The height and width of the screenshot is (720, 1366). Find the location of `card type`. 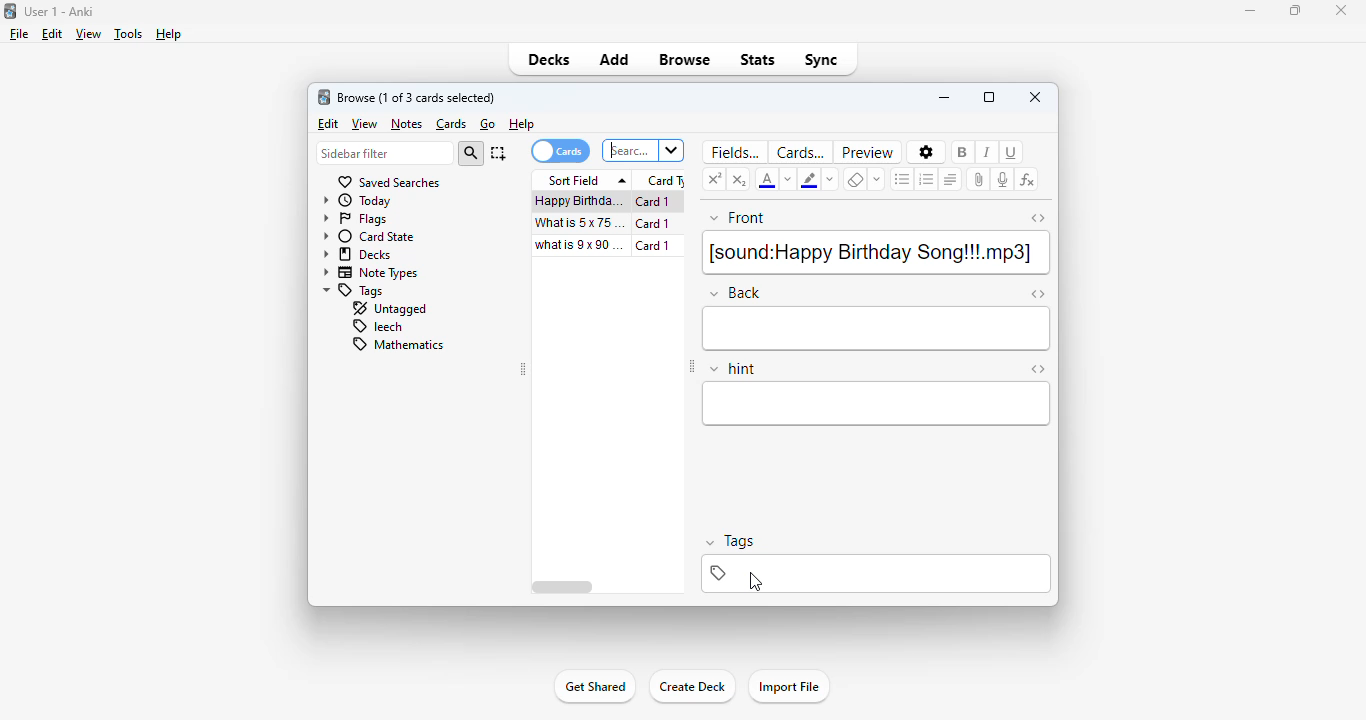

card type is located at coordinates (663, 181).